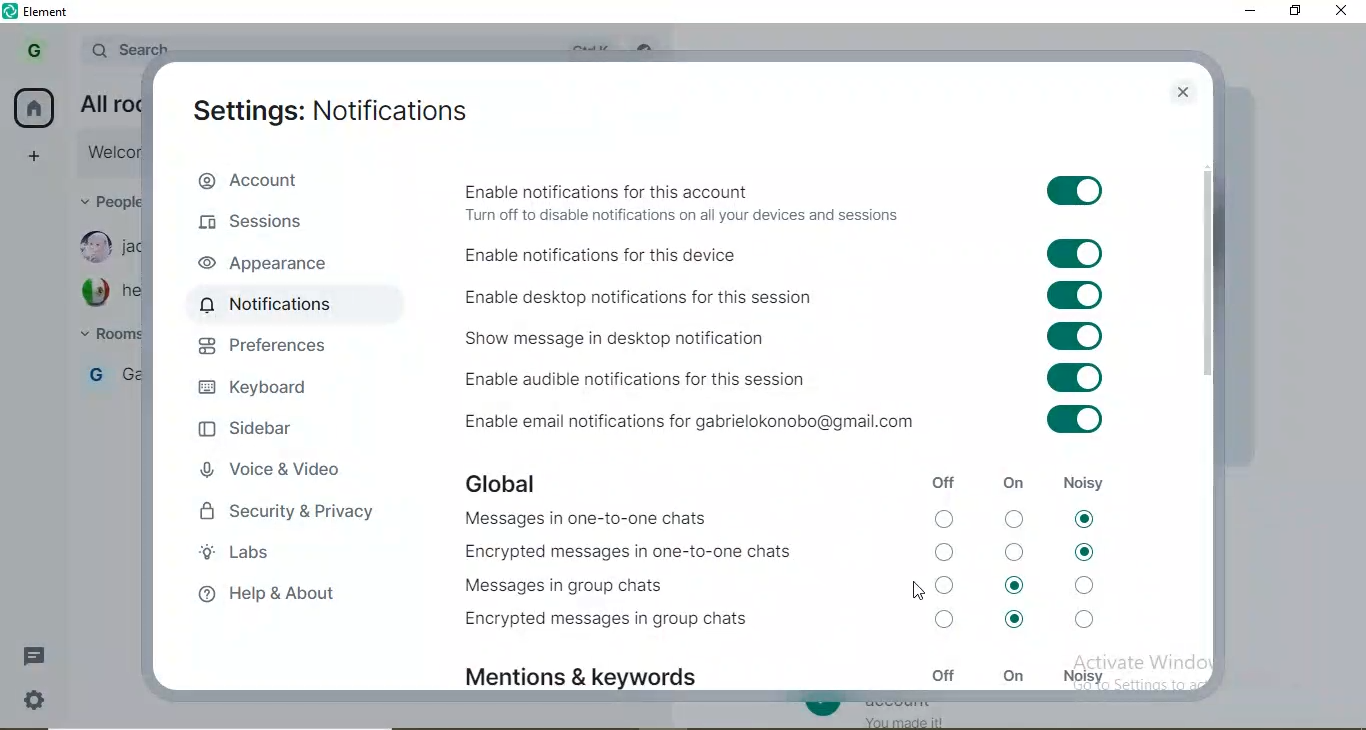  I want to click on profile image, so click(94, 246).